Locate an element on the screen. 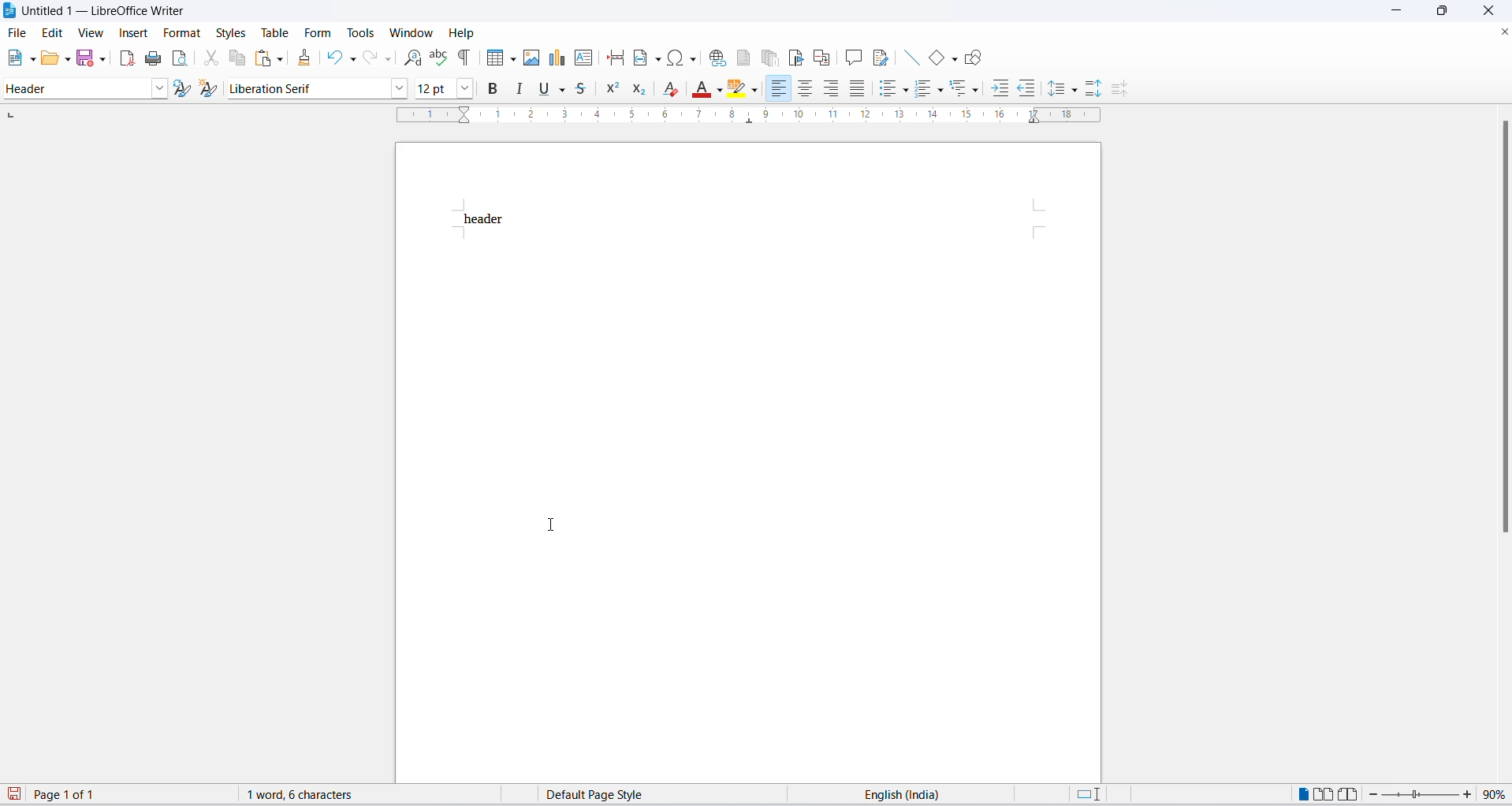  text language is located at coordinates (904, 794).